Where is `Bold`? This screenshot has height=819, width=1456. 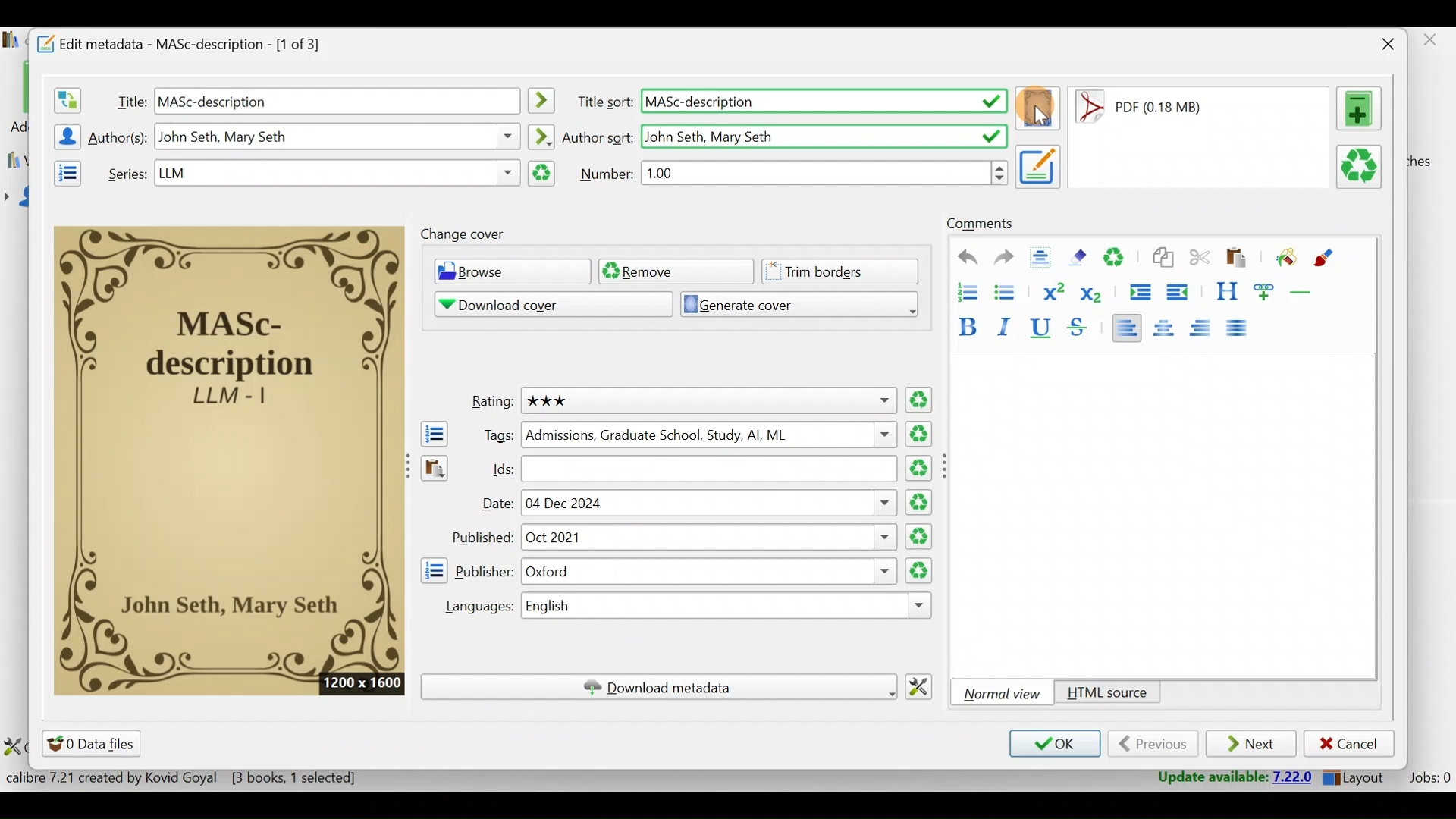 Bold is located at coordinates (965, 324).